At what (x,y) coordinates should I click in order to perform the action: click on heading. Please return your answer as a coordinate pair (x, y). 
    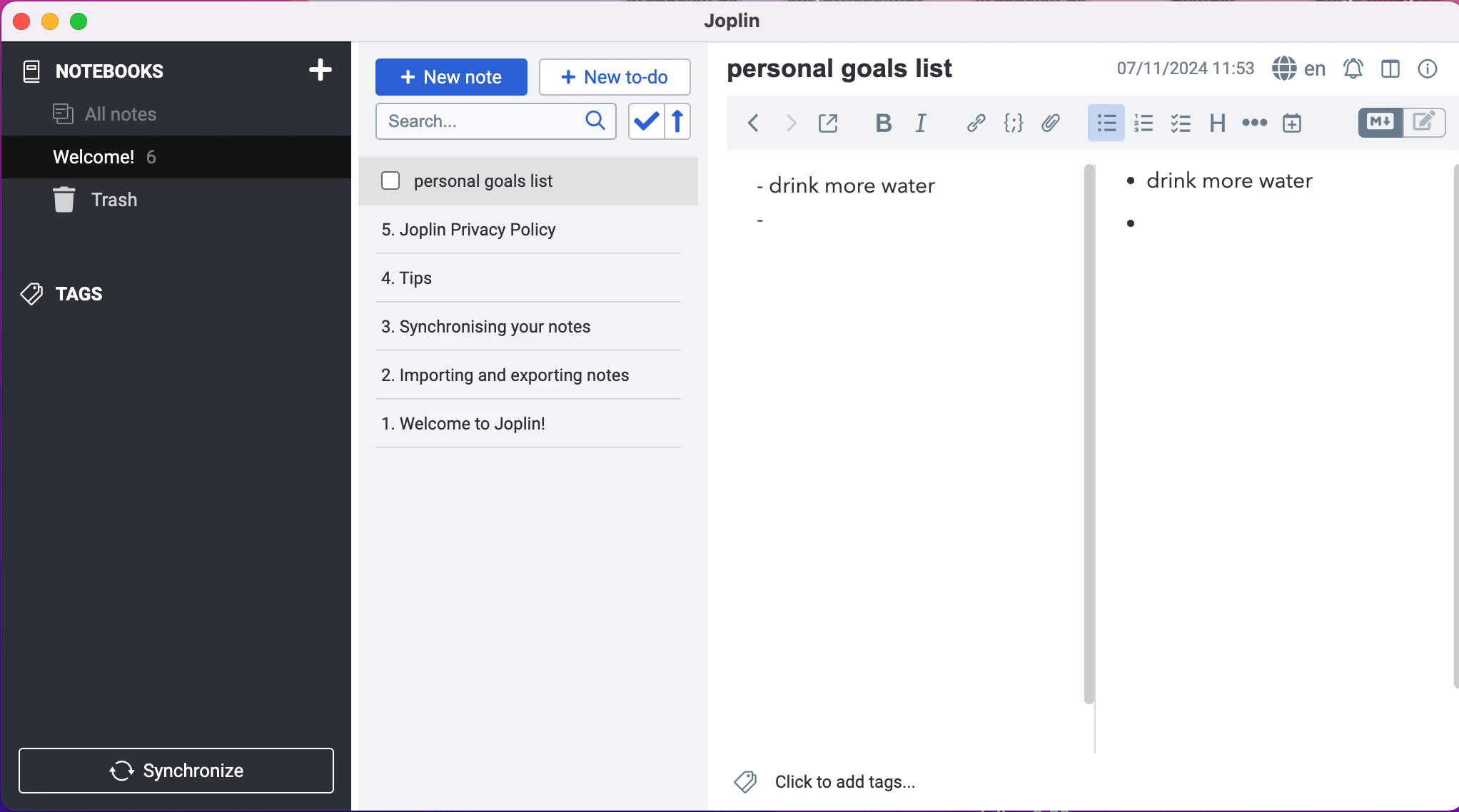
    Looking at the image, I should click on (1217, 127).